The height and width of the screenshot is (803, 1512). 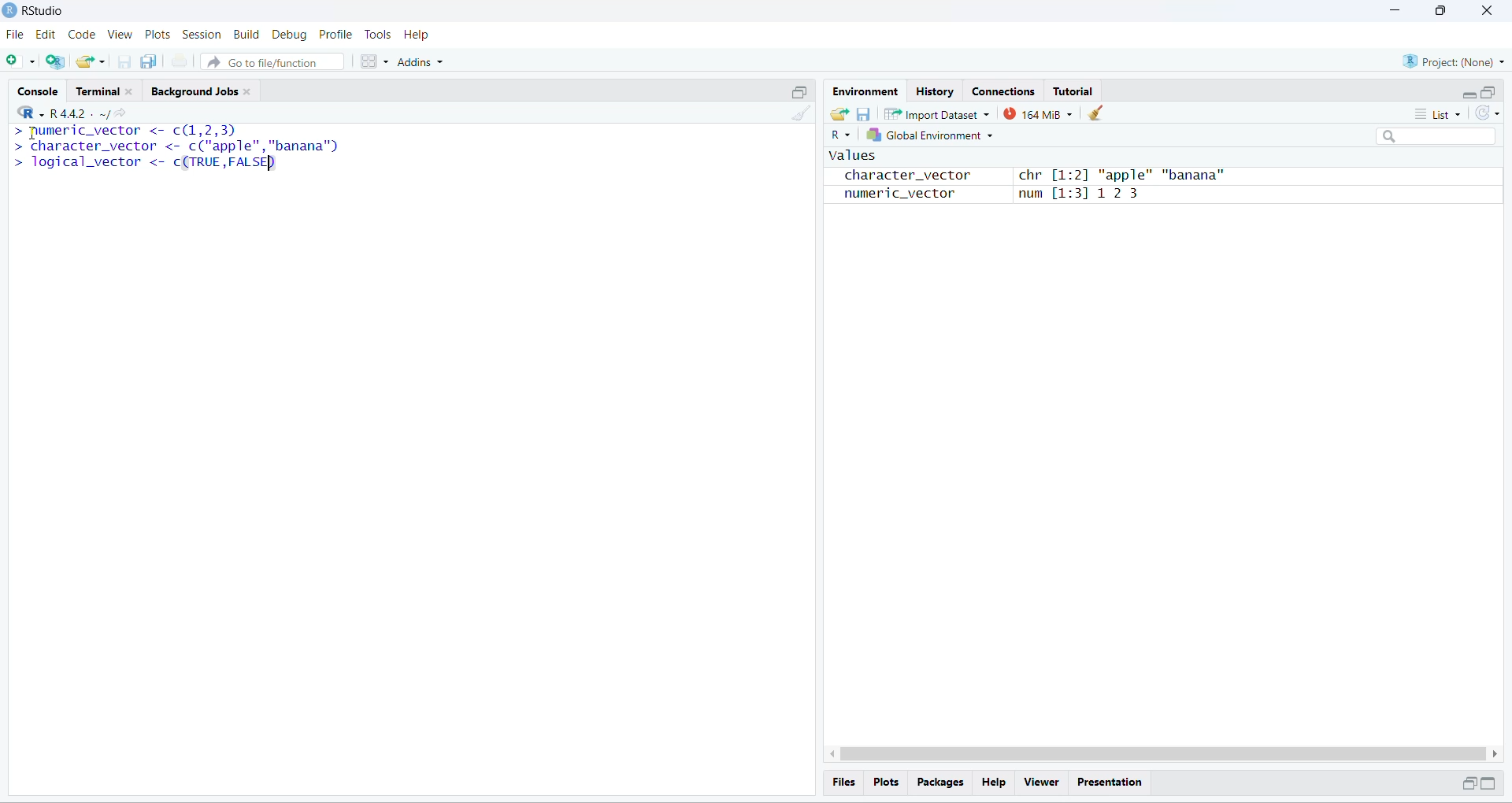 I want to click on maximize, so click(x=799, y=91).